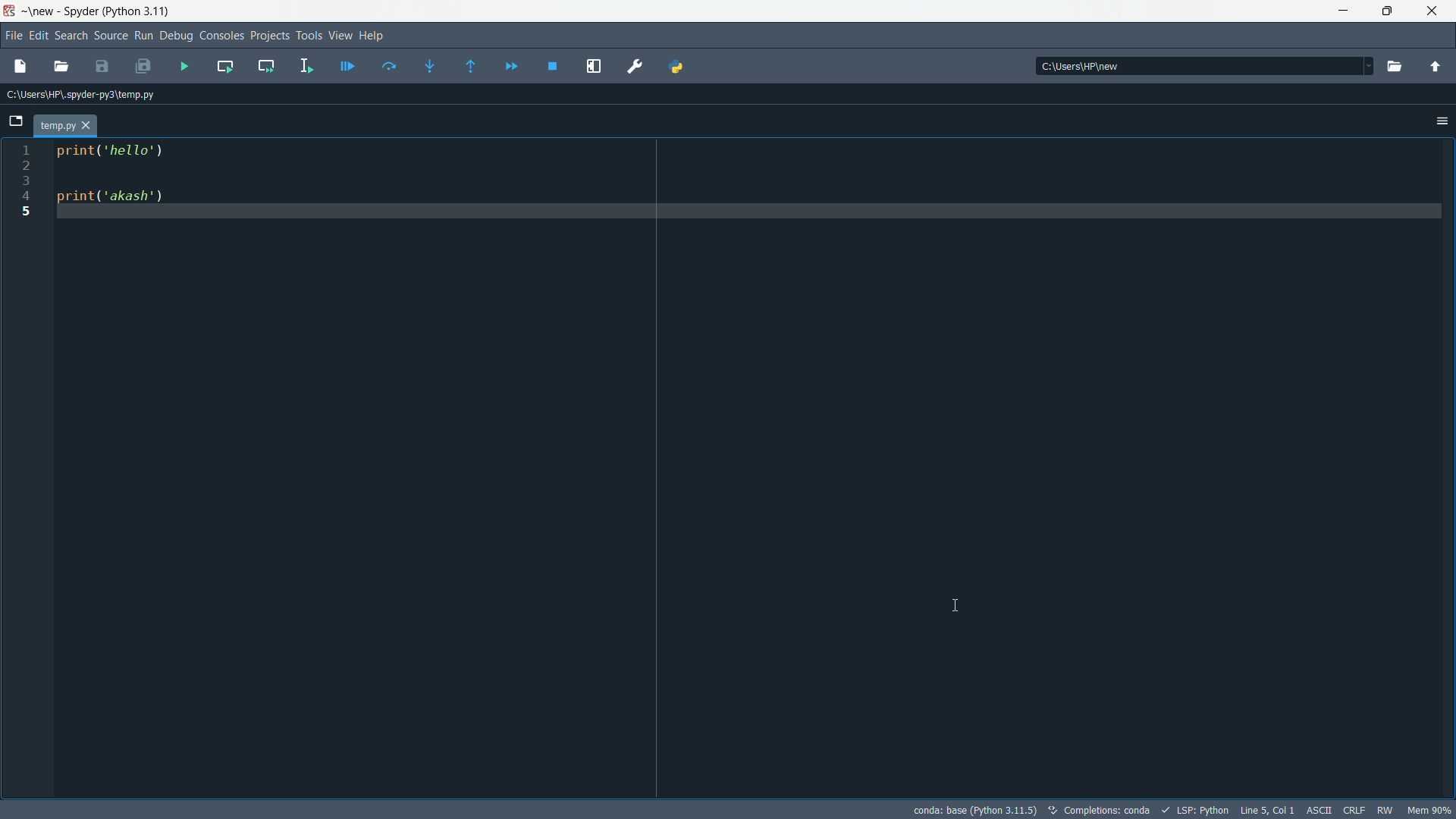 The height and width of the screenshot is (819, 1456). I want to click on save file, so click(101, 67).